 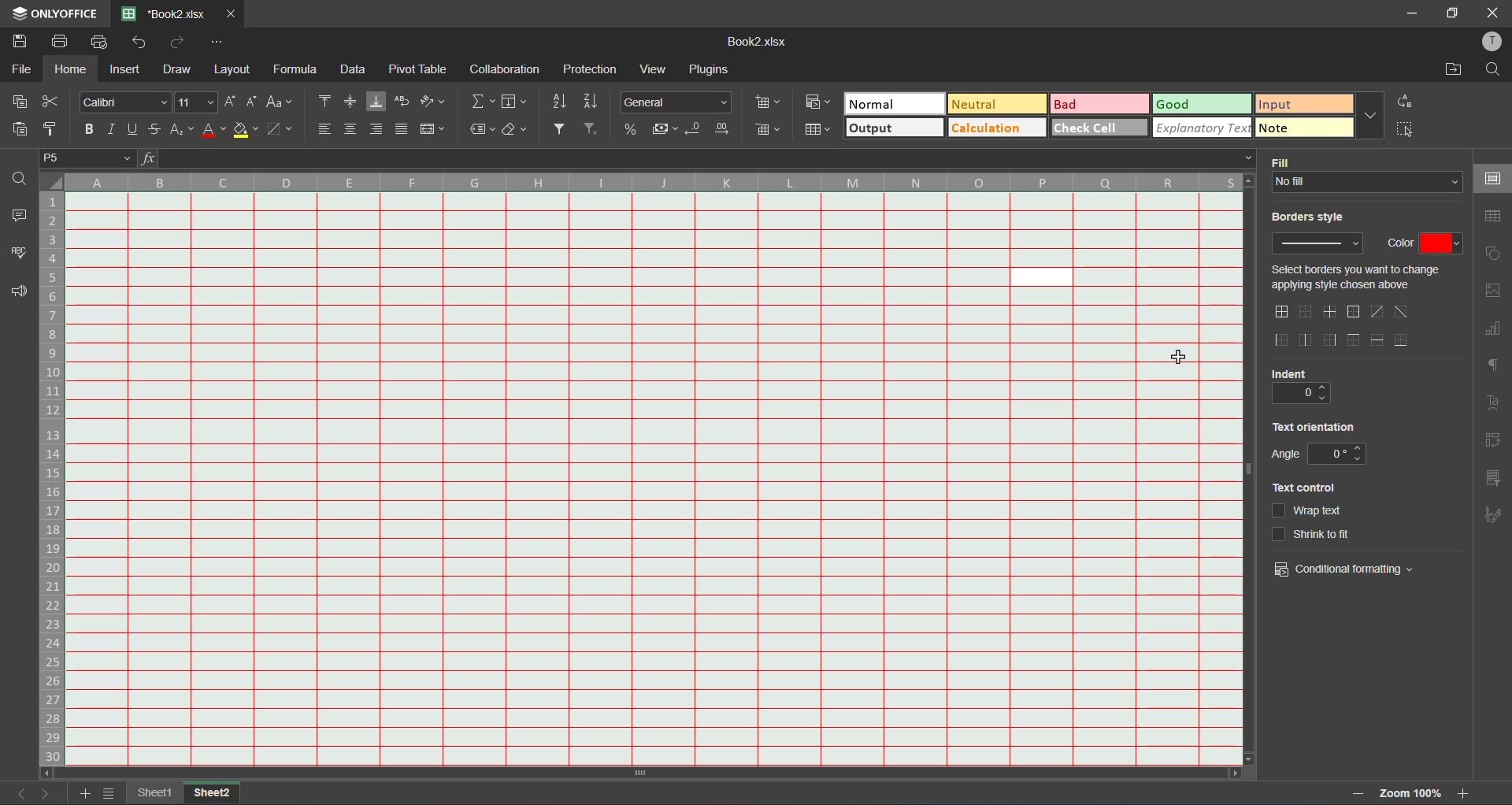 I want to click on text, so click(x=1495, y=406).